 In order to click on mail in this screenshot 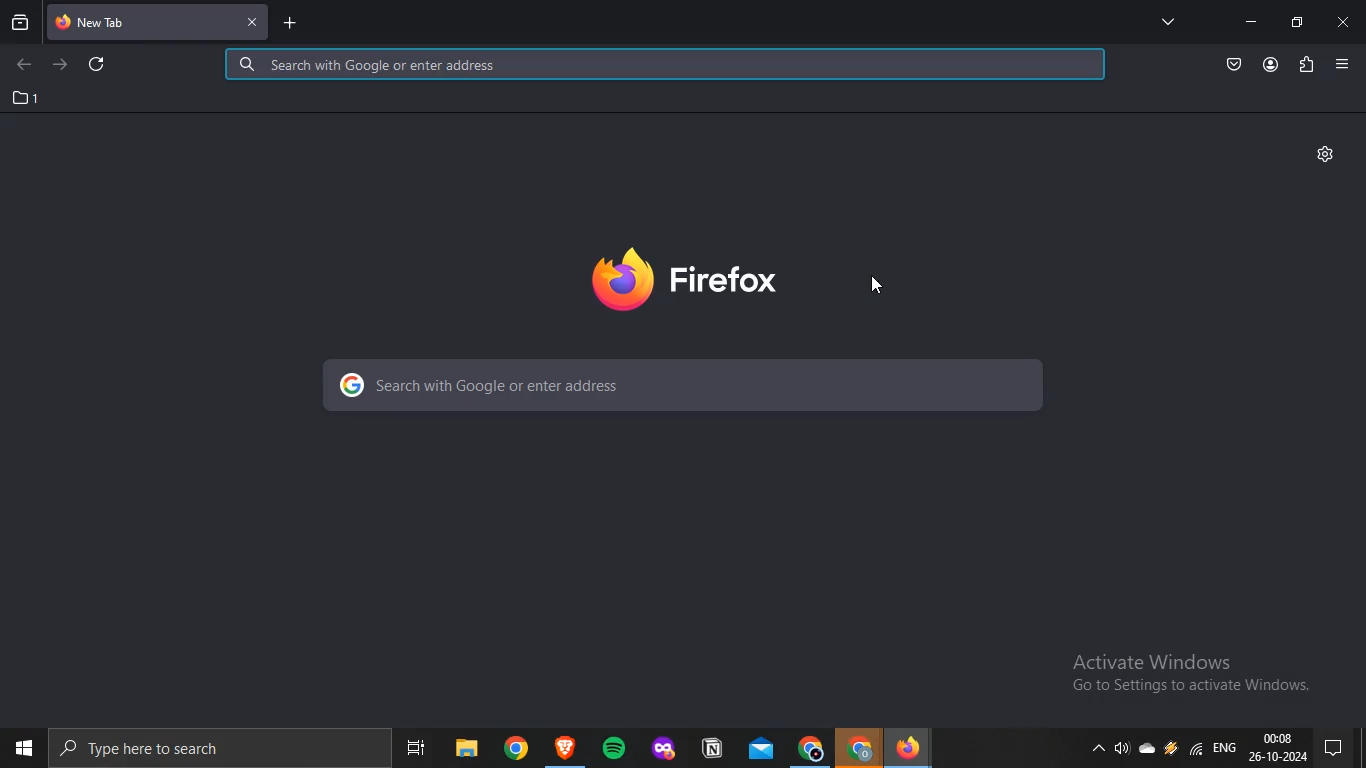, I will do `click(758, 744)`.